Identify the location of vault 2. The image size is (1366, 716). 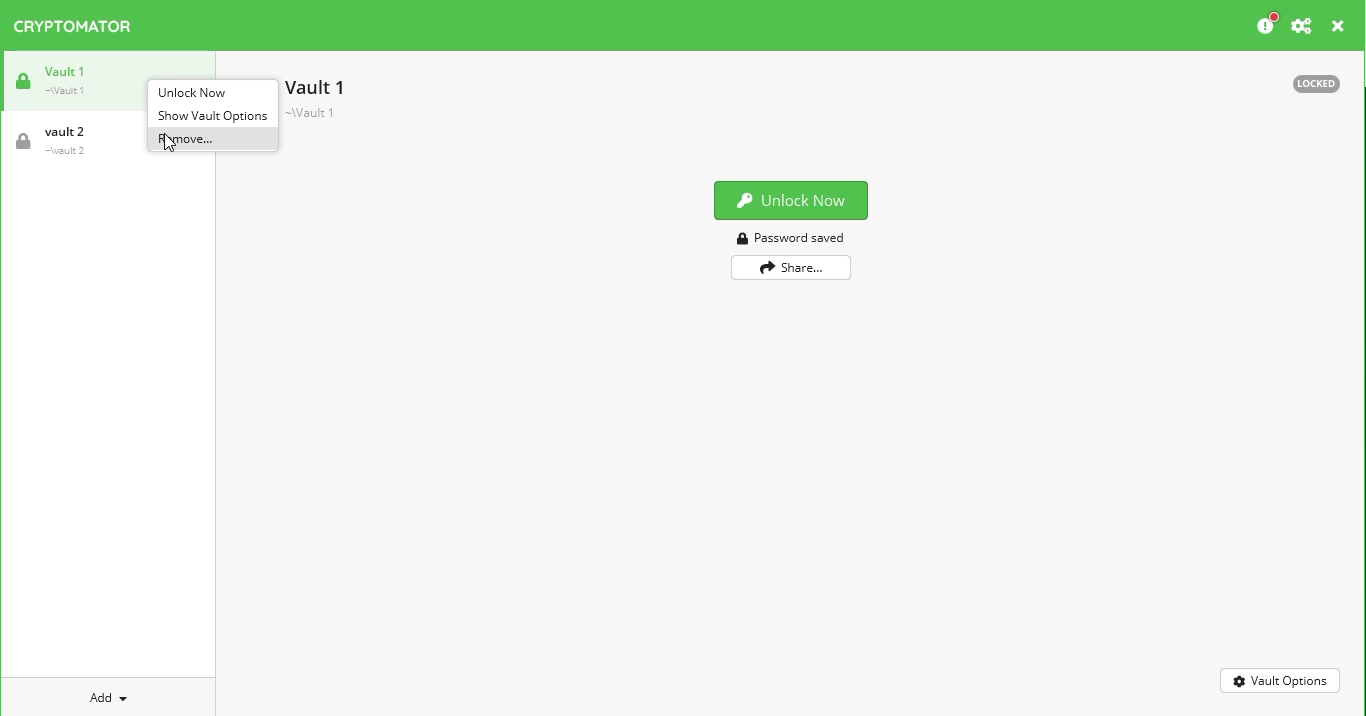
(58, 141).